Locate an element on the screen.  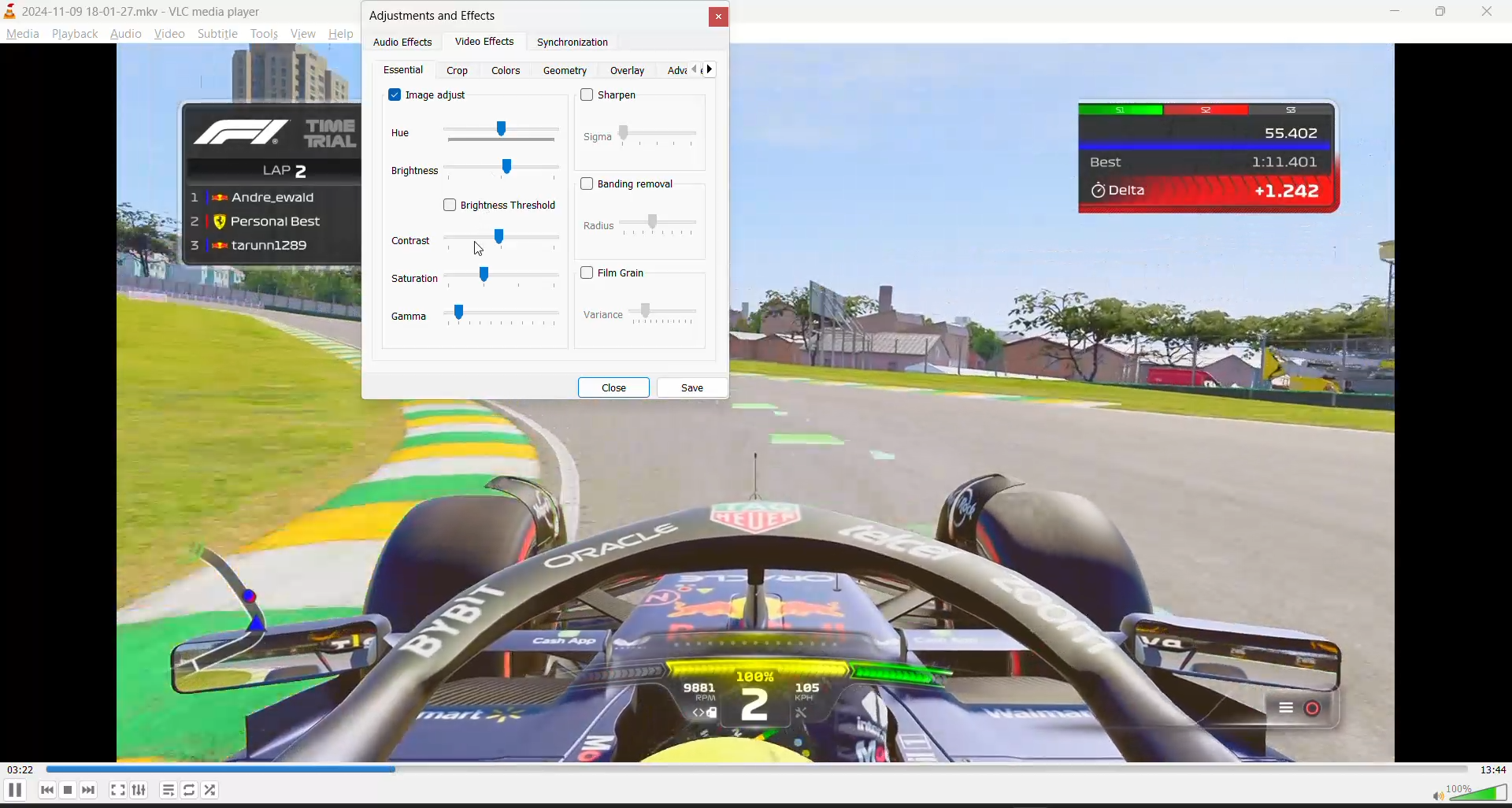
view is located at coordinates (303, 32).